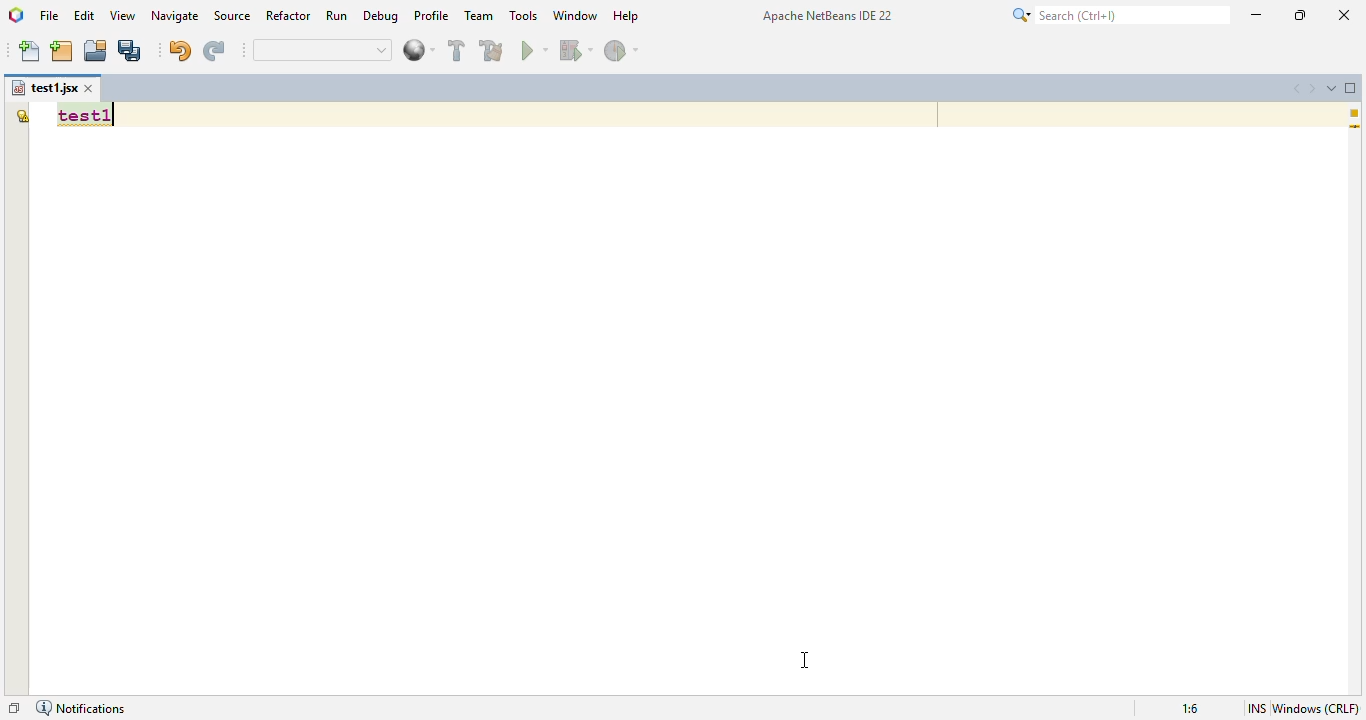 Image resolution: width=1366 pixels, height=720 pixels. What do you see at coordinates (622, 50) in the screenshot?
I see `profile project` at bounding box center [622, 50].